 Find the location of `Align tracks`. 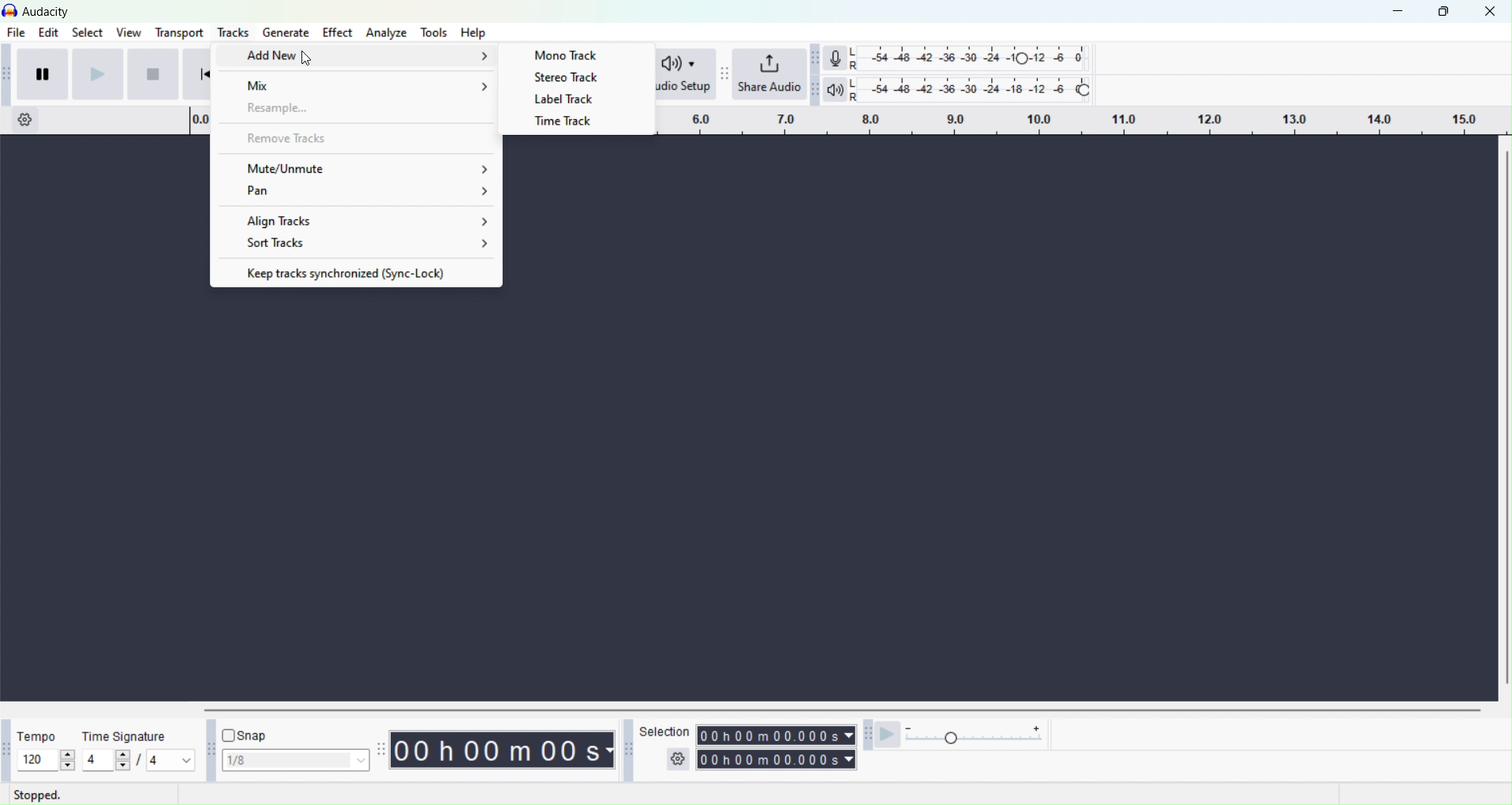

Align tracks is located at coordinates (359, 219).